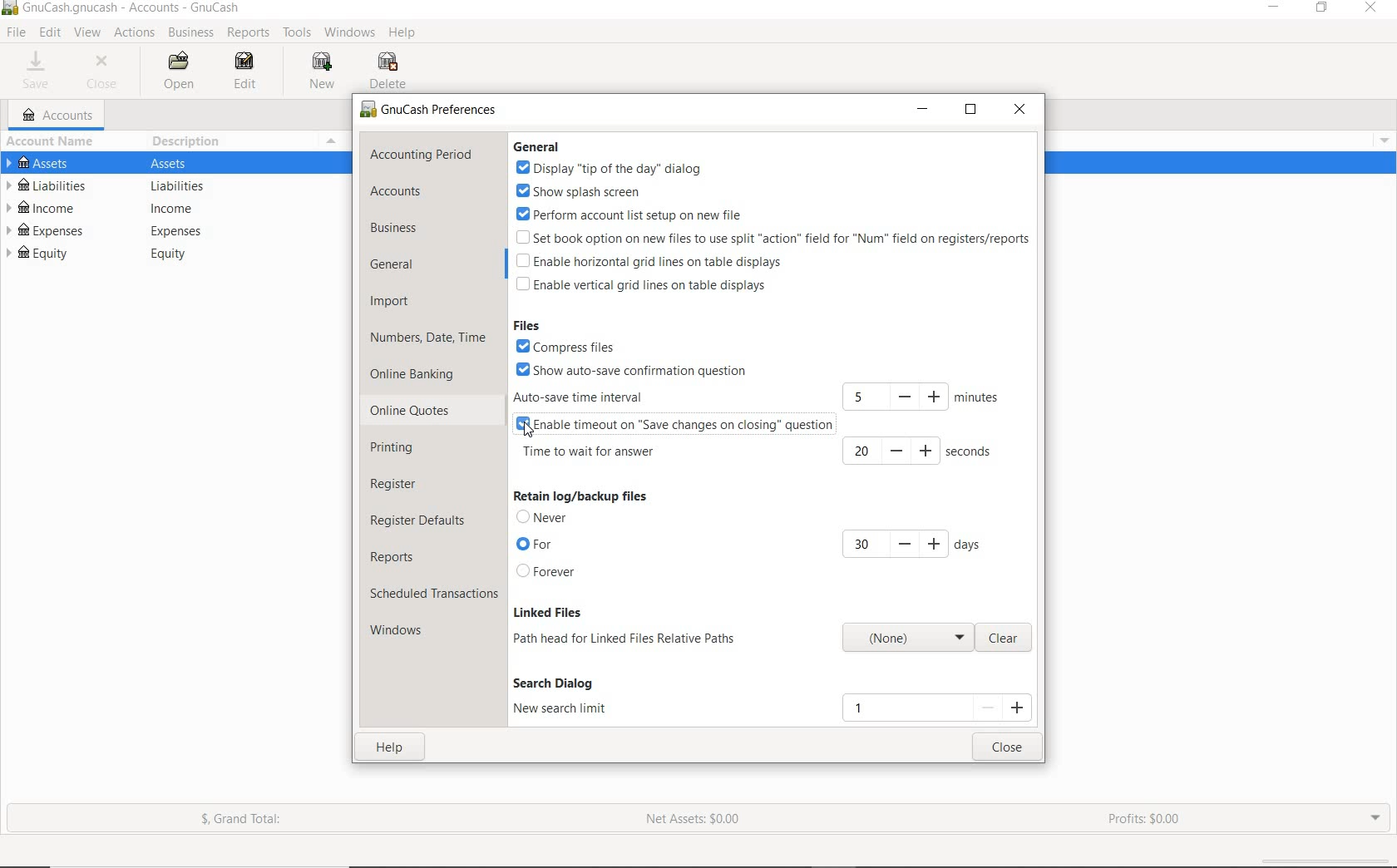 The image size is (1397, 868). I want to click on INCOME, so click(170, 207).